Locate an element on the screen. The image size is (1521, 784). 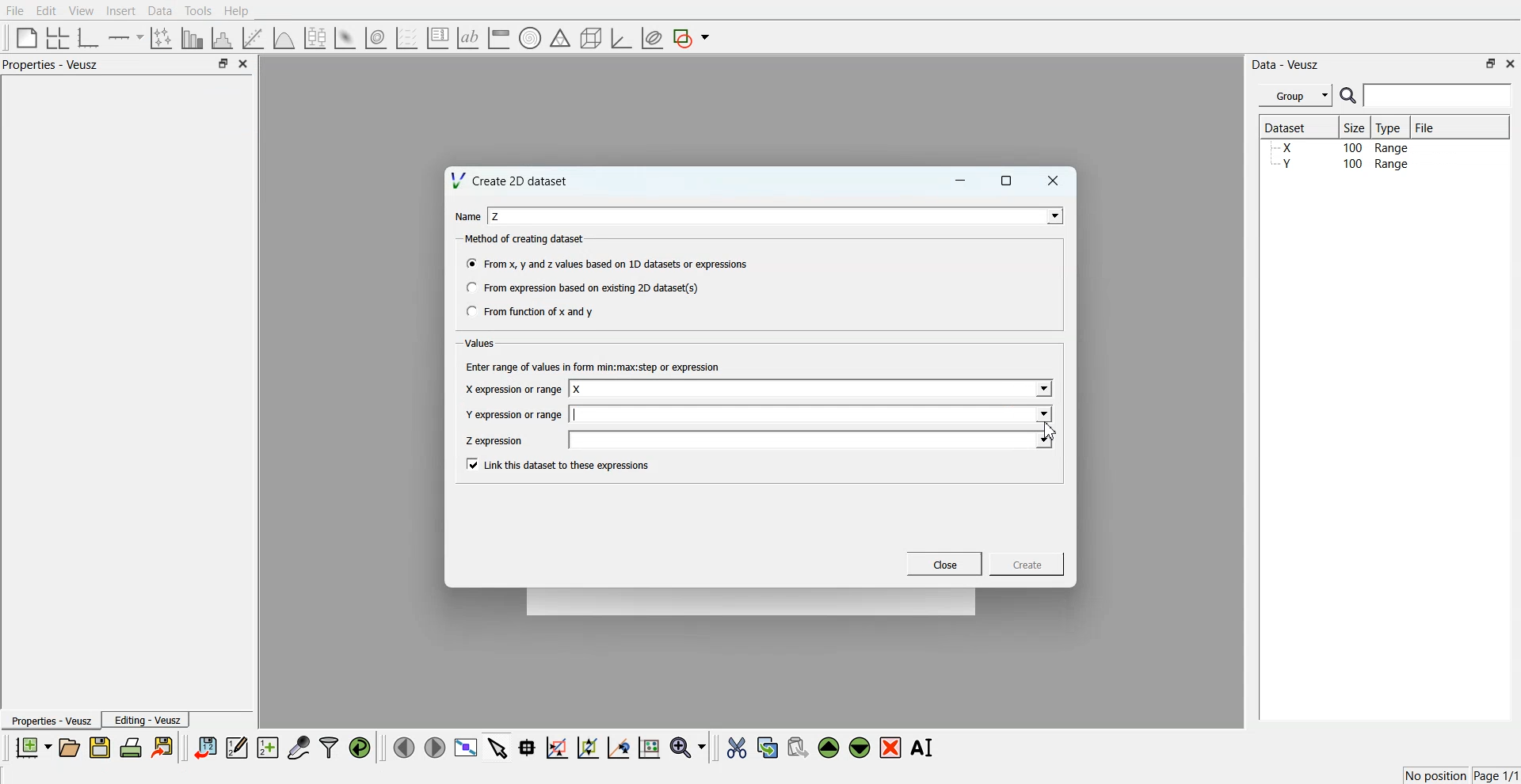
Insert is located at coordinates (120, 10).